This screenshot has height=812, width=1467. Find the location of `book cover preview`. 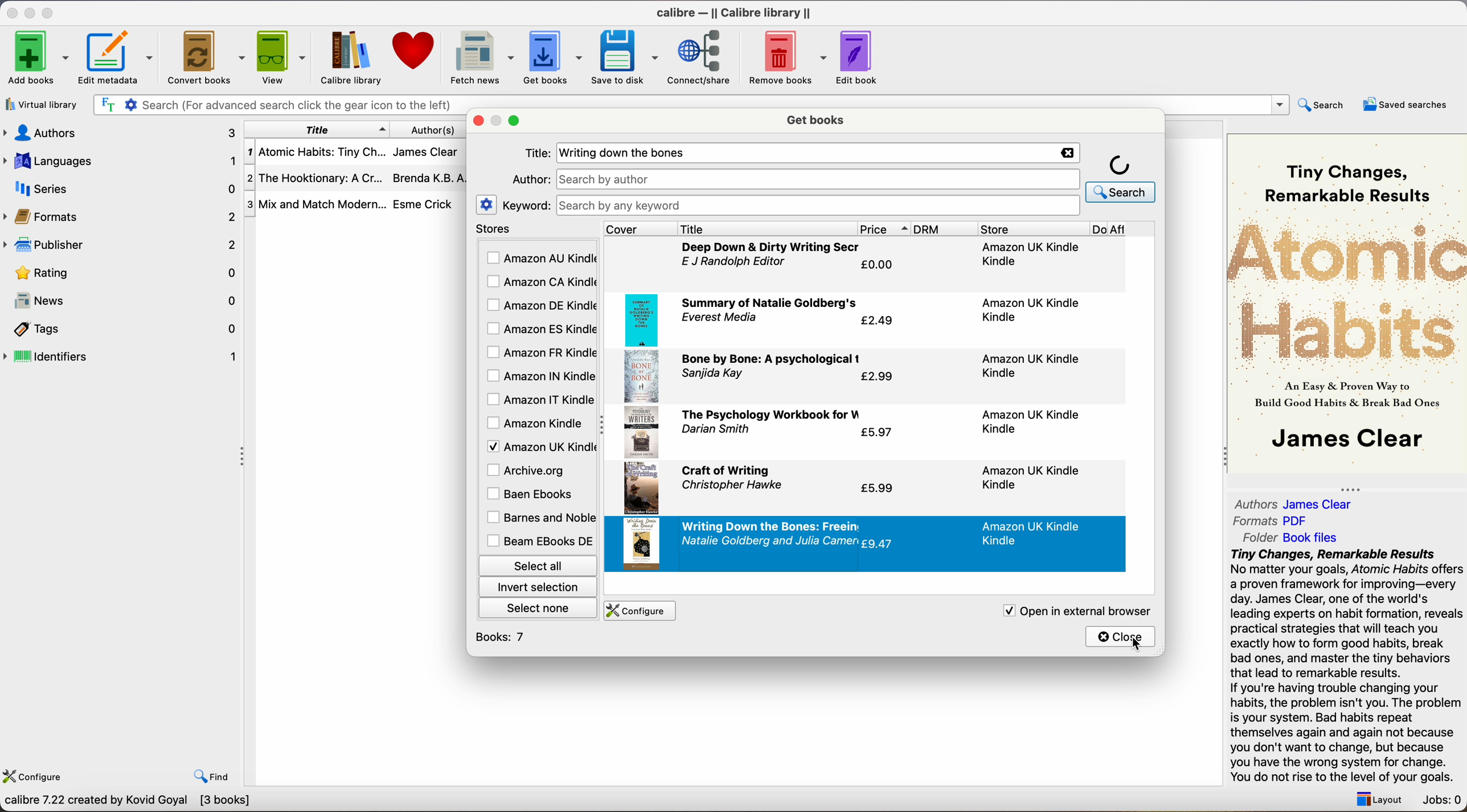

book cover preview is located at coordinates (1349, 302).